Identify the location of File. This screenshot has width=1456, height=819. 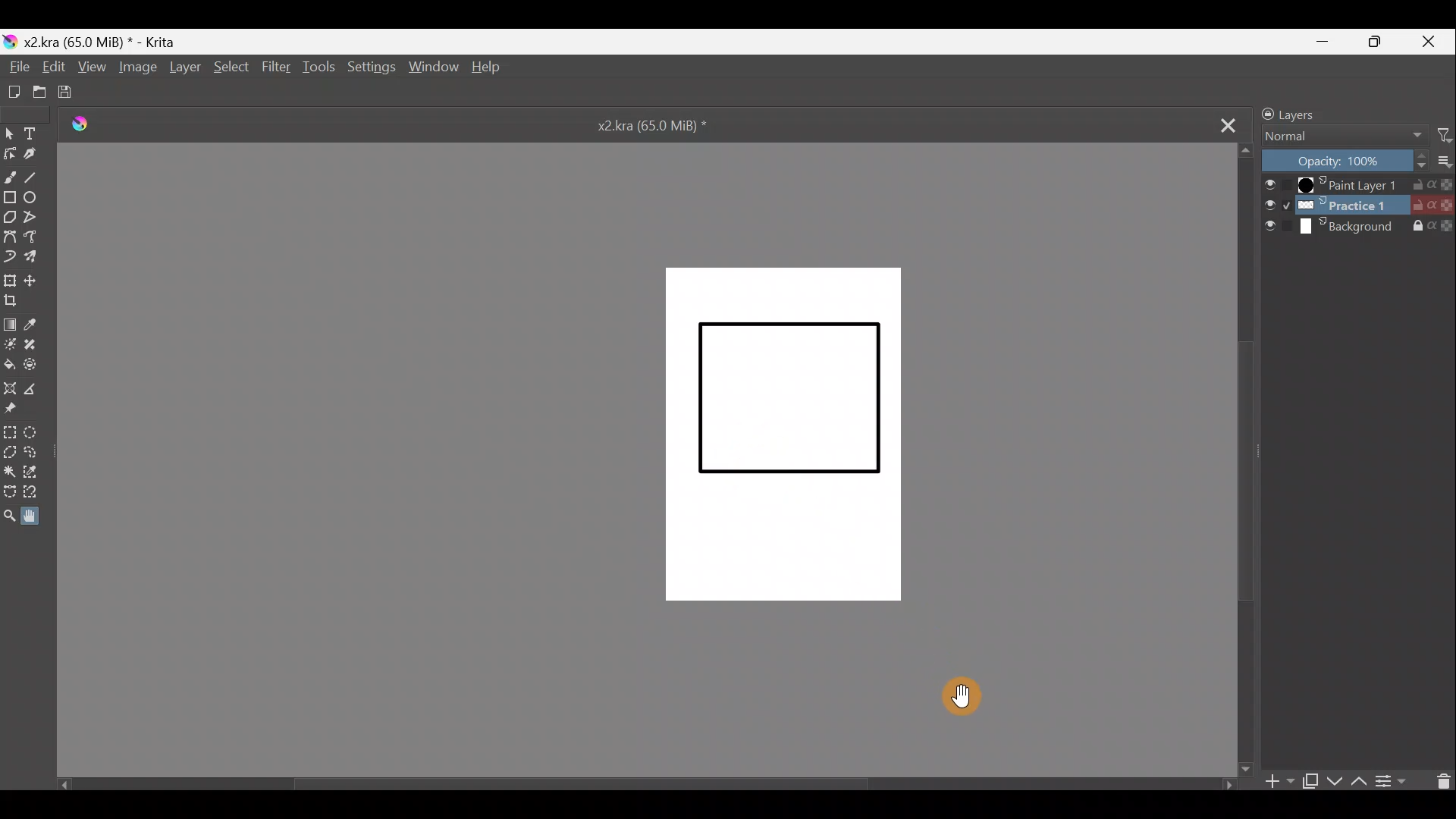
(17, 67).